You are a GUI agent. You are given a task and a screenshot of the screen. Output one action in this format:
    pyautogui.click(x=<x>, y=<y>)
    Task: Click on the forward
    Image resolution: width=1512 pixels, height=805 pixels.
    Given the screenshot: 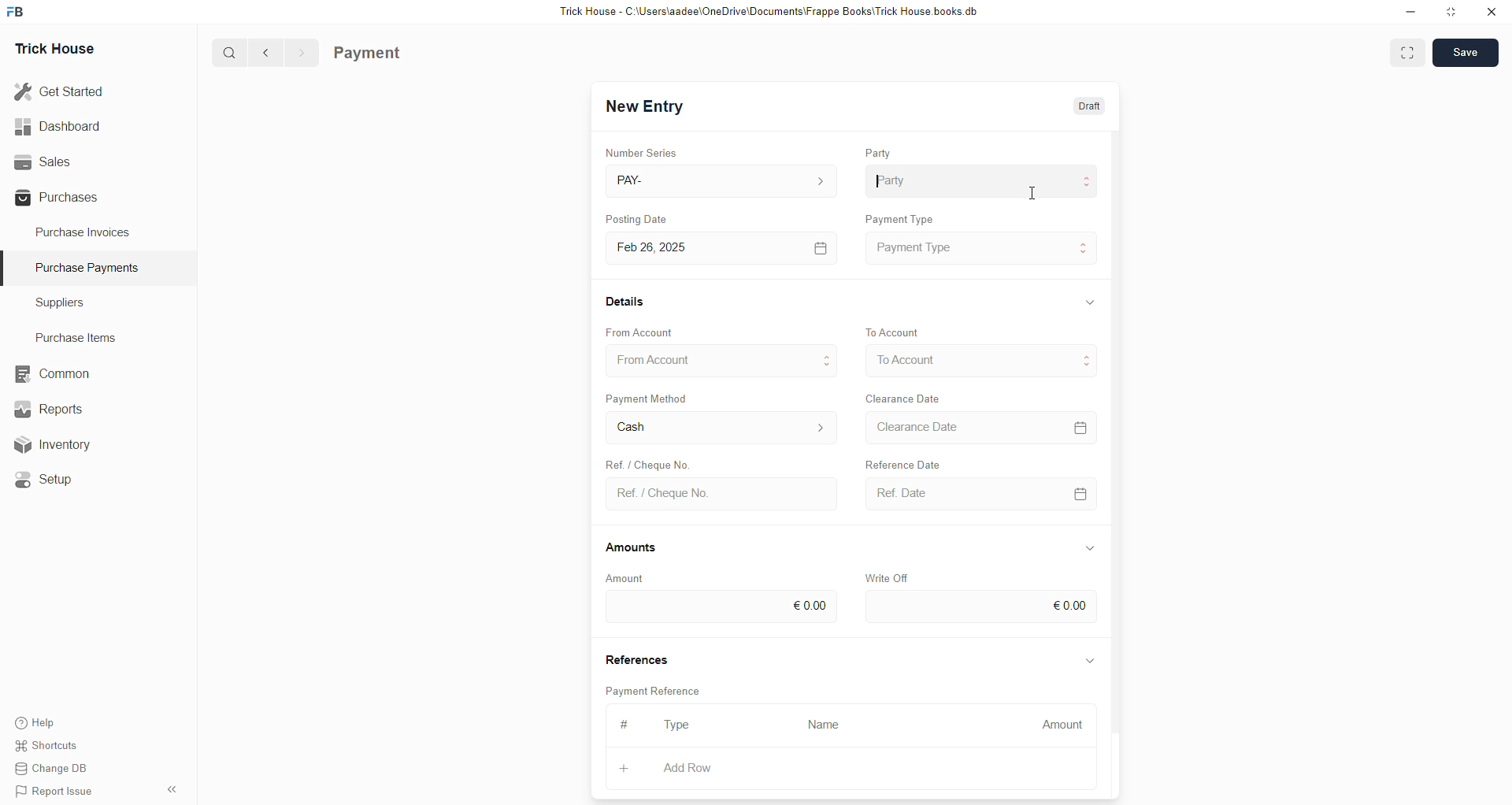 What is the action you would take?
    pyautogui.click(x=301, y=53)
    